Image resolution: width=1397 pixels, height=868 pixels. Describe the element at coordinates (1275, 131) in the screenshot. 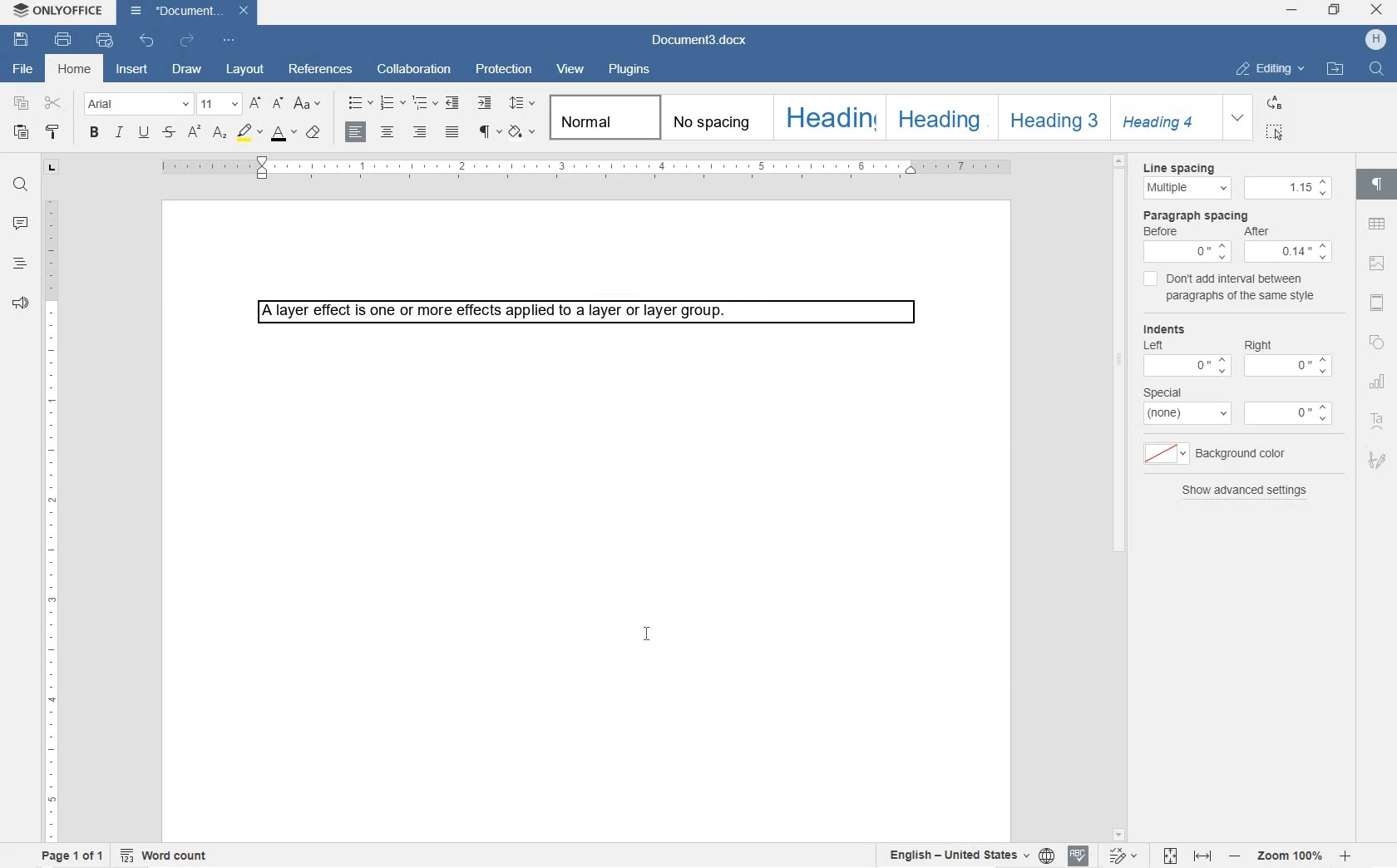

I see `SELECT ALL` at that location.